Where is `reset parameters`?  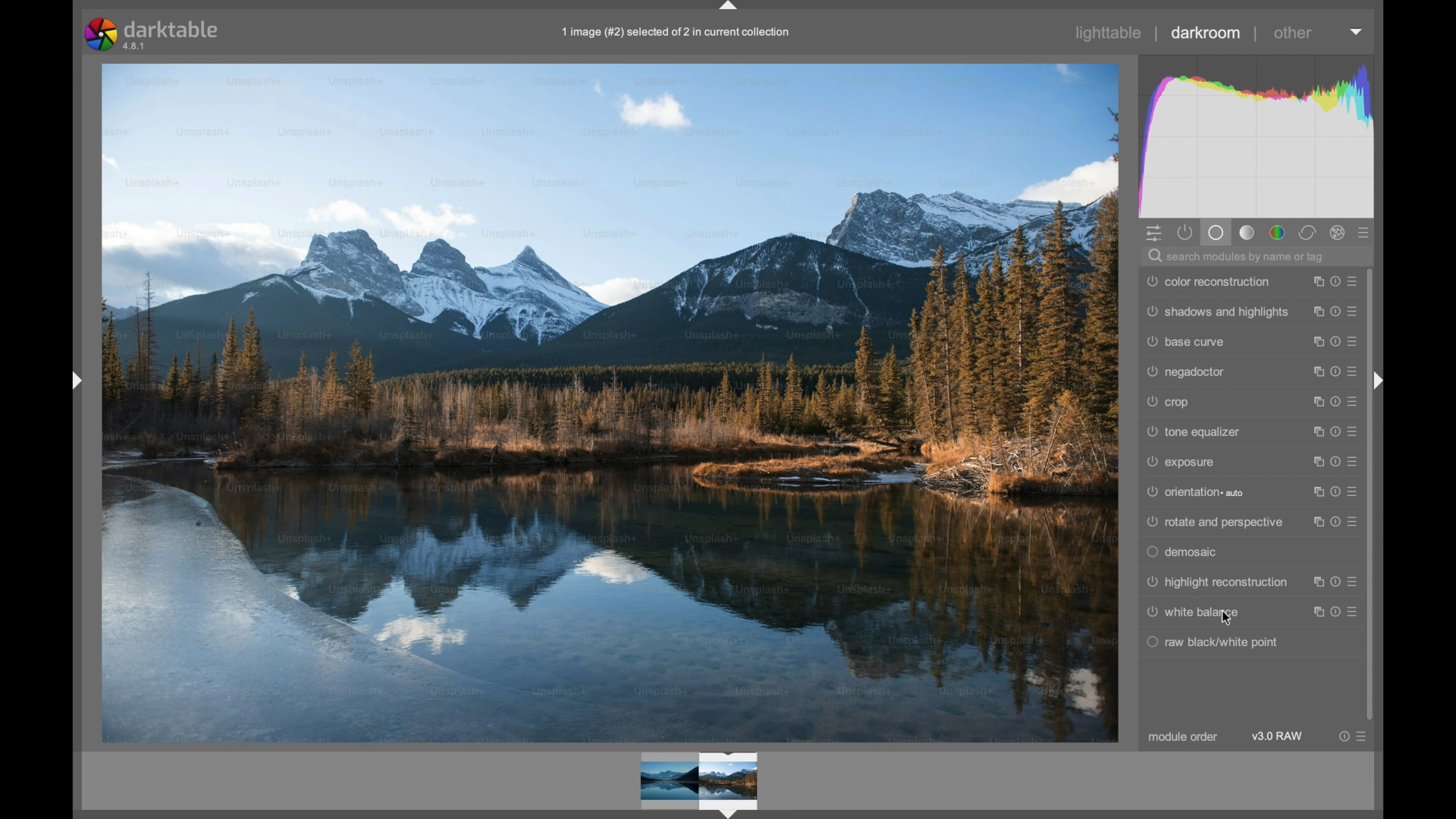 reset parameters is located at coordinates (1336, 491).